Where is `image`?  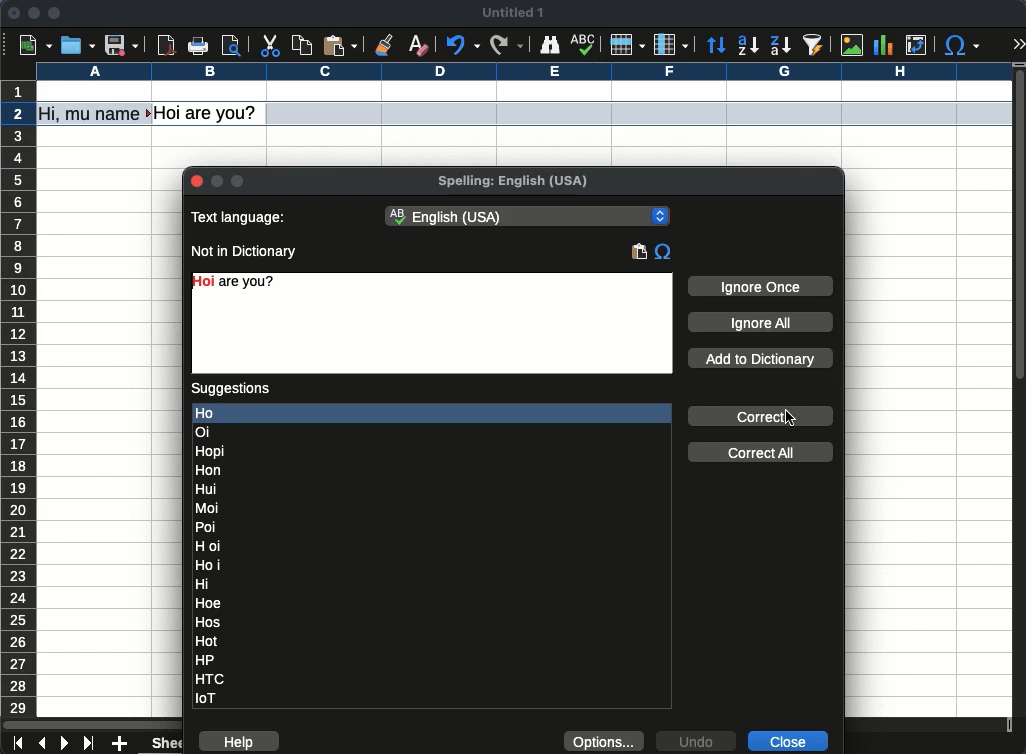 image is located at coordinates (855, 46).